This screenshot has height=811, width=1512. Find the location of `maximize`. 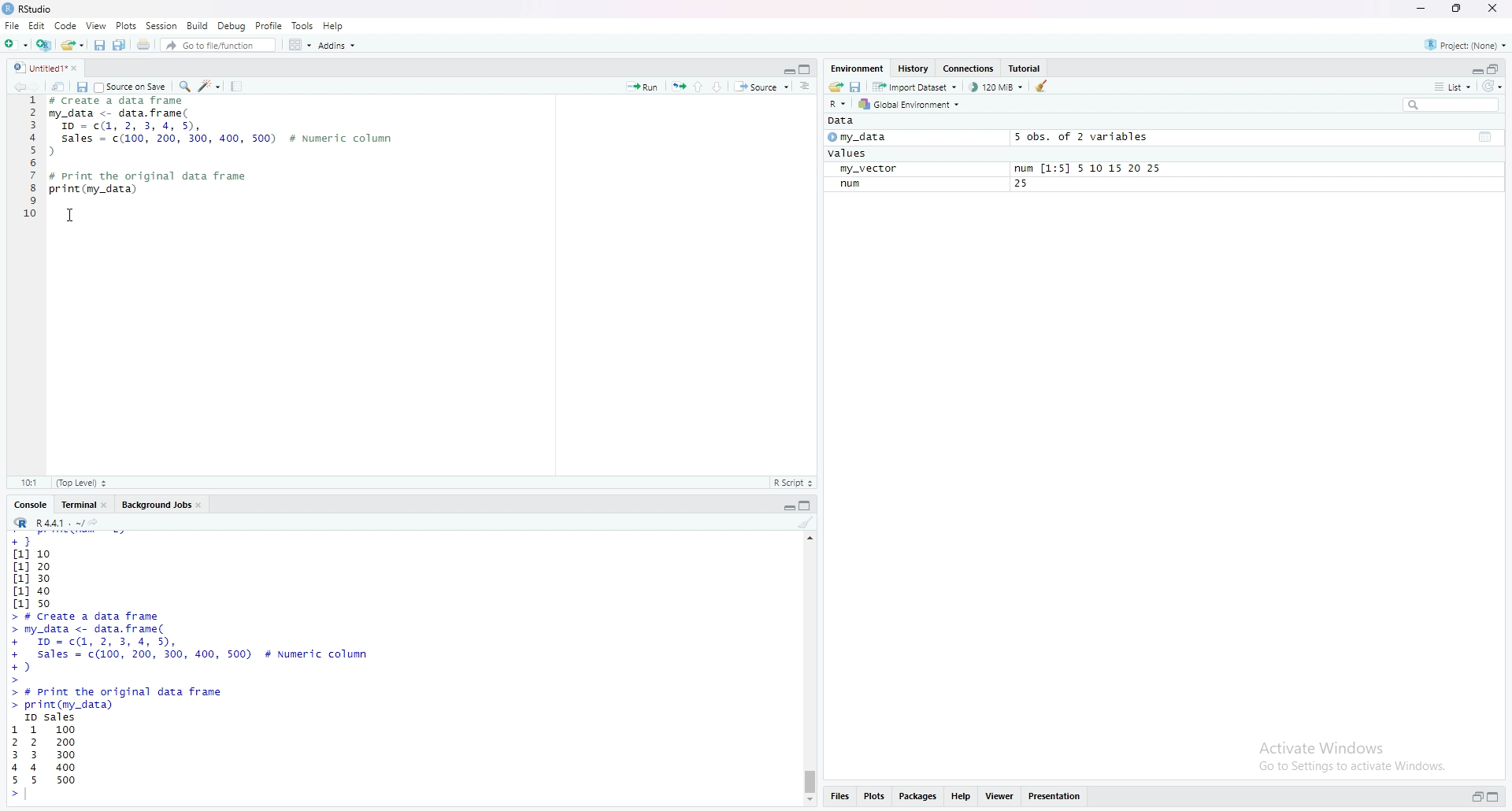

maximize is located at coordinates (808, 505).